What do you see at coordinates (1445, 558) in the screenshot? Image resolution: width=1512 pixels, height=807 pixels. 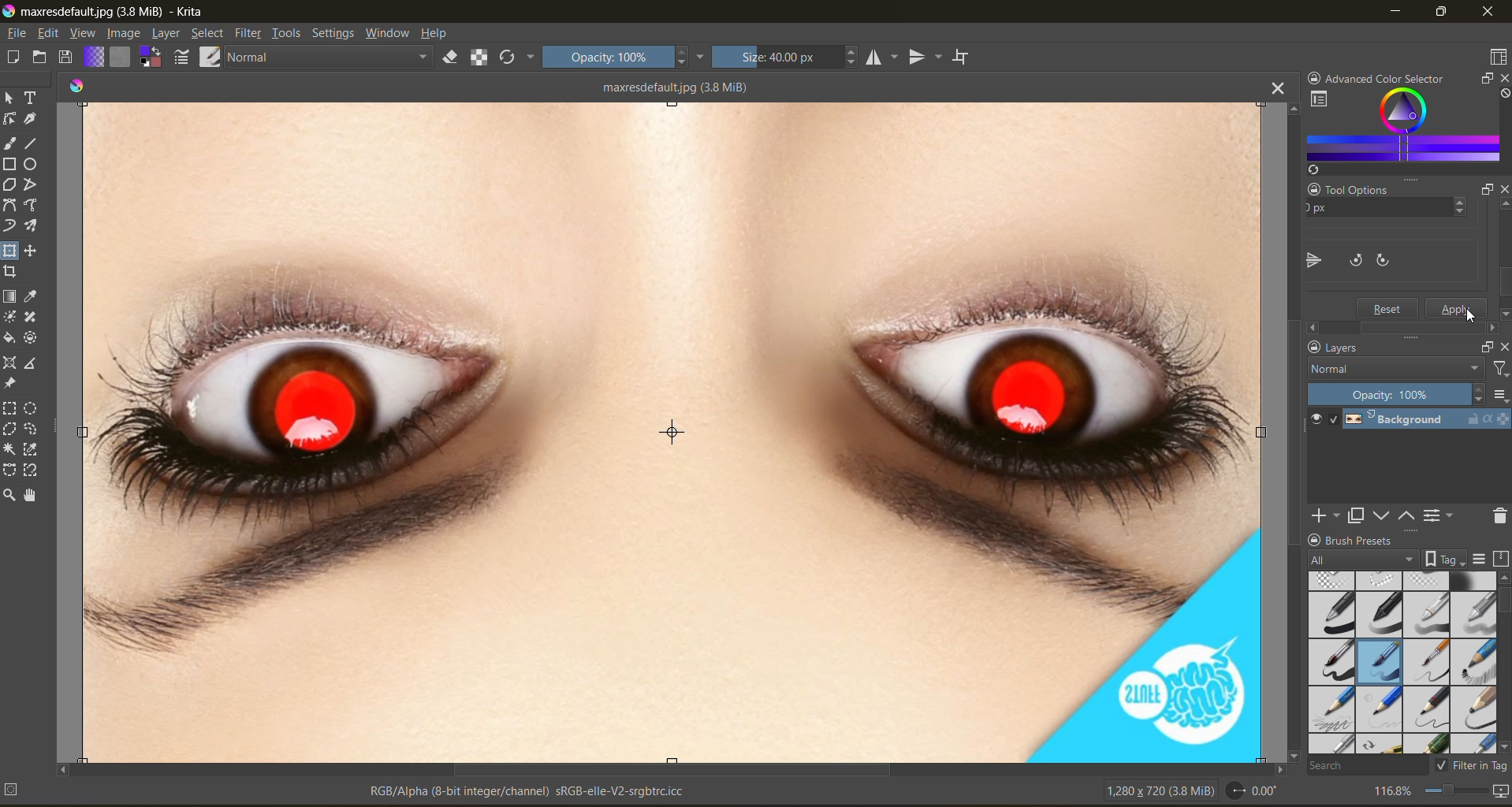 I see `show tag box` at bounding box center [1445, 558].